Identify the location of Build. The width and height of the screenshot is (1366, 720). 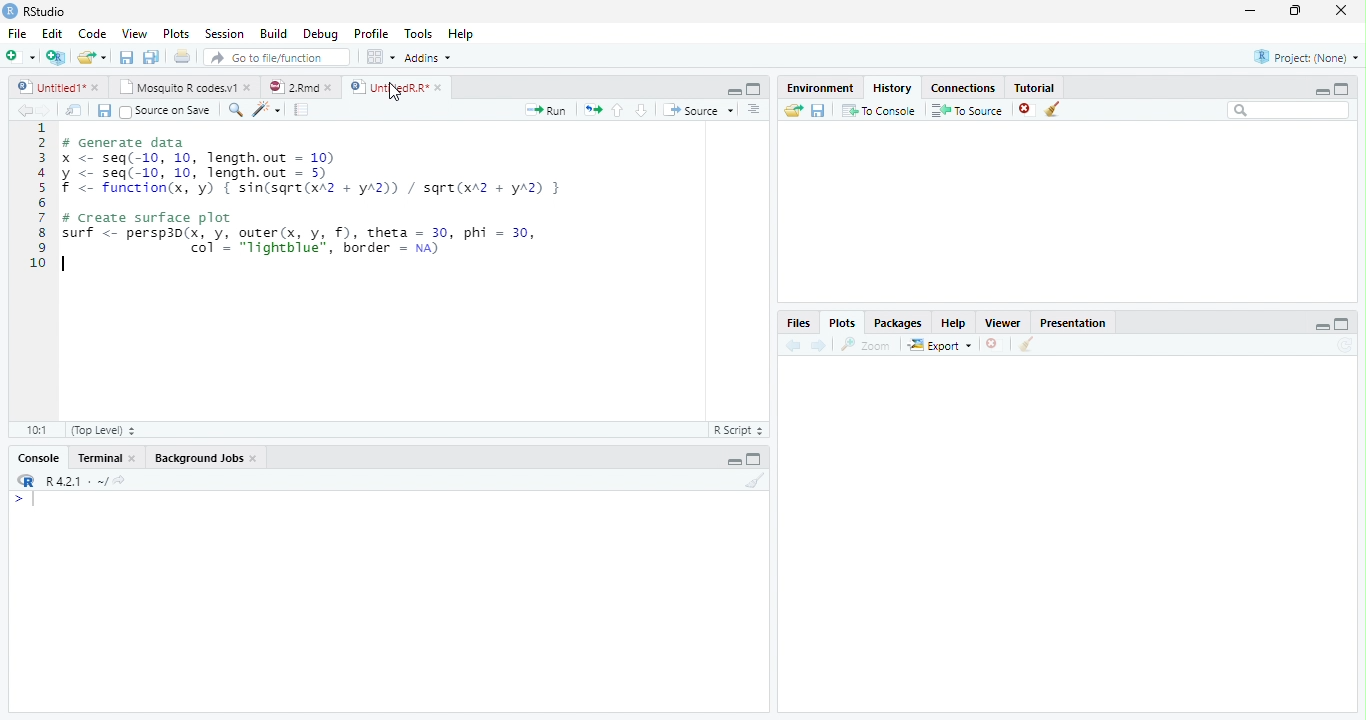
(273, 33).